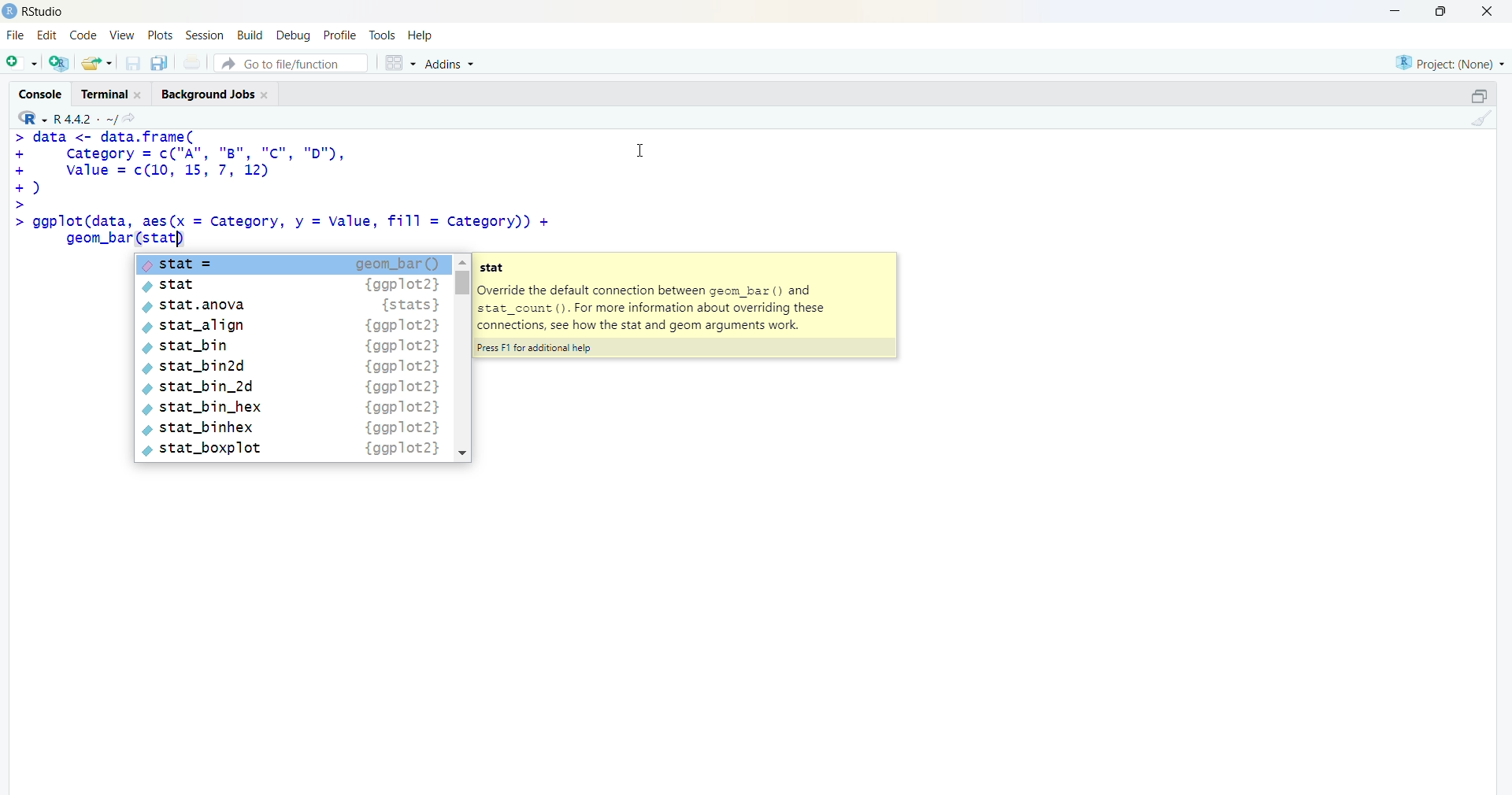 The width and height of the screenshot is (1512, 795). Describe the element at coordinates (641, 148) in the screenshot. I see `Cursor` at that location.